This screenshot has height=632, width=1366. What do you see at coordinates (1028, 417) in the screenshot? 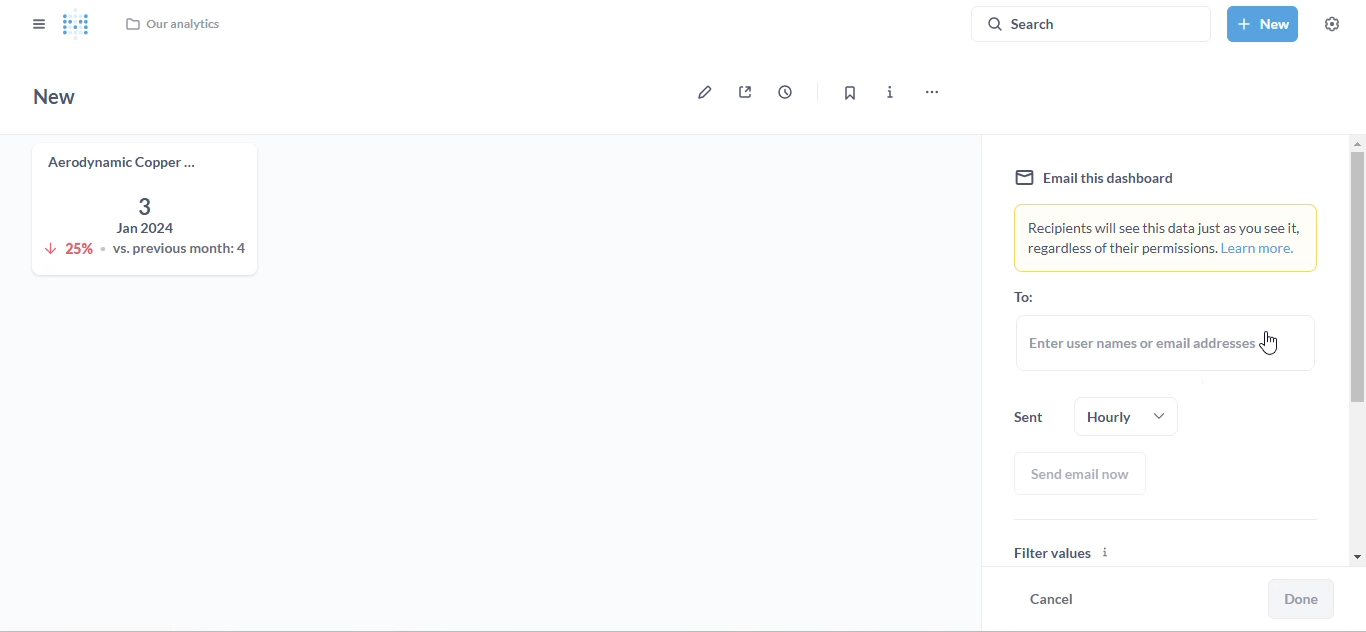
I see `sent` at bounding box center [1028, 417].